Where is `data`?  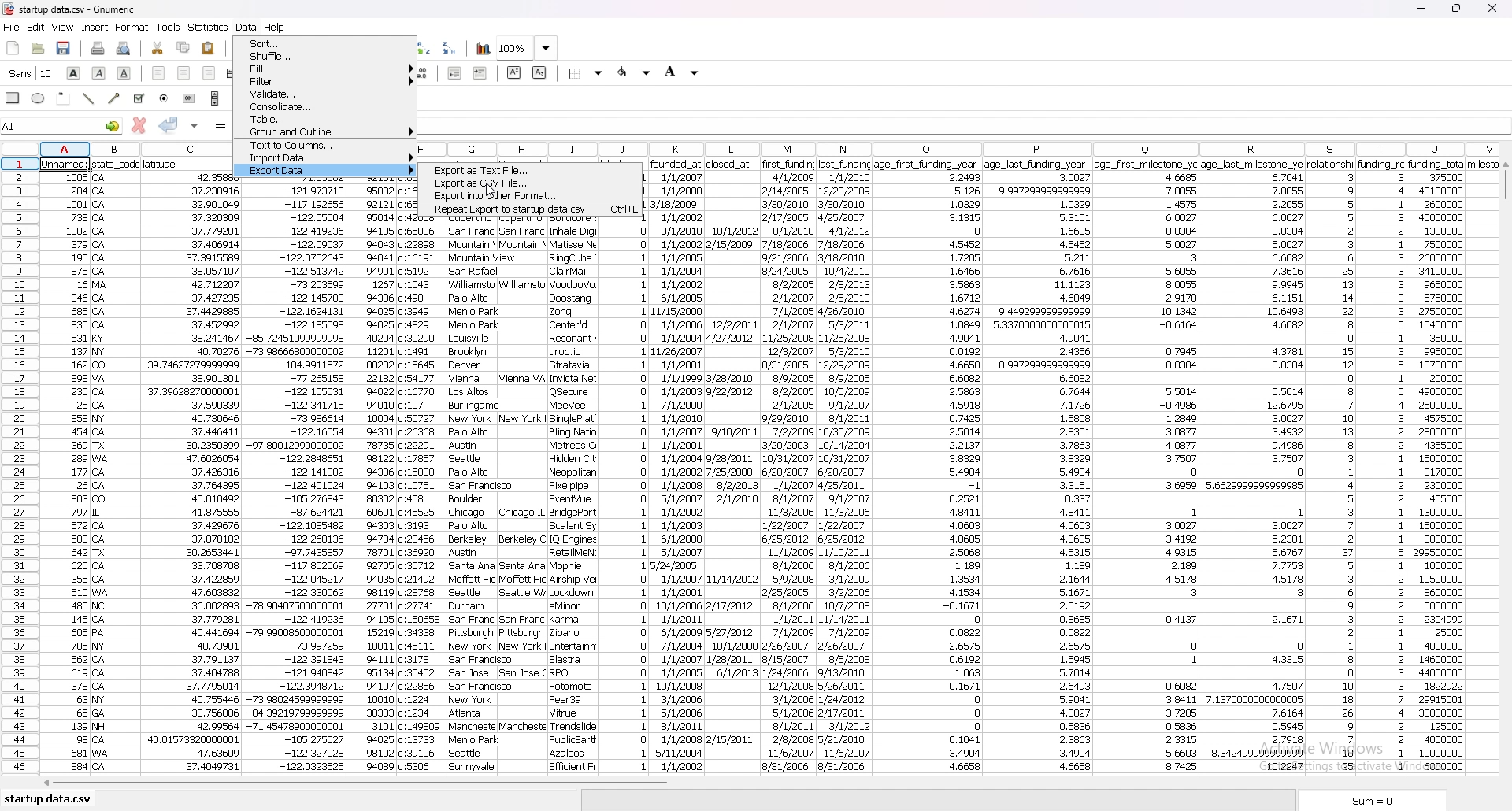 data is located at coordinates (790, 468).